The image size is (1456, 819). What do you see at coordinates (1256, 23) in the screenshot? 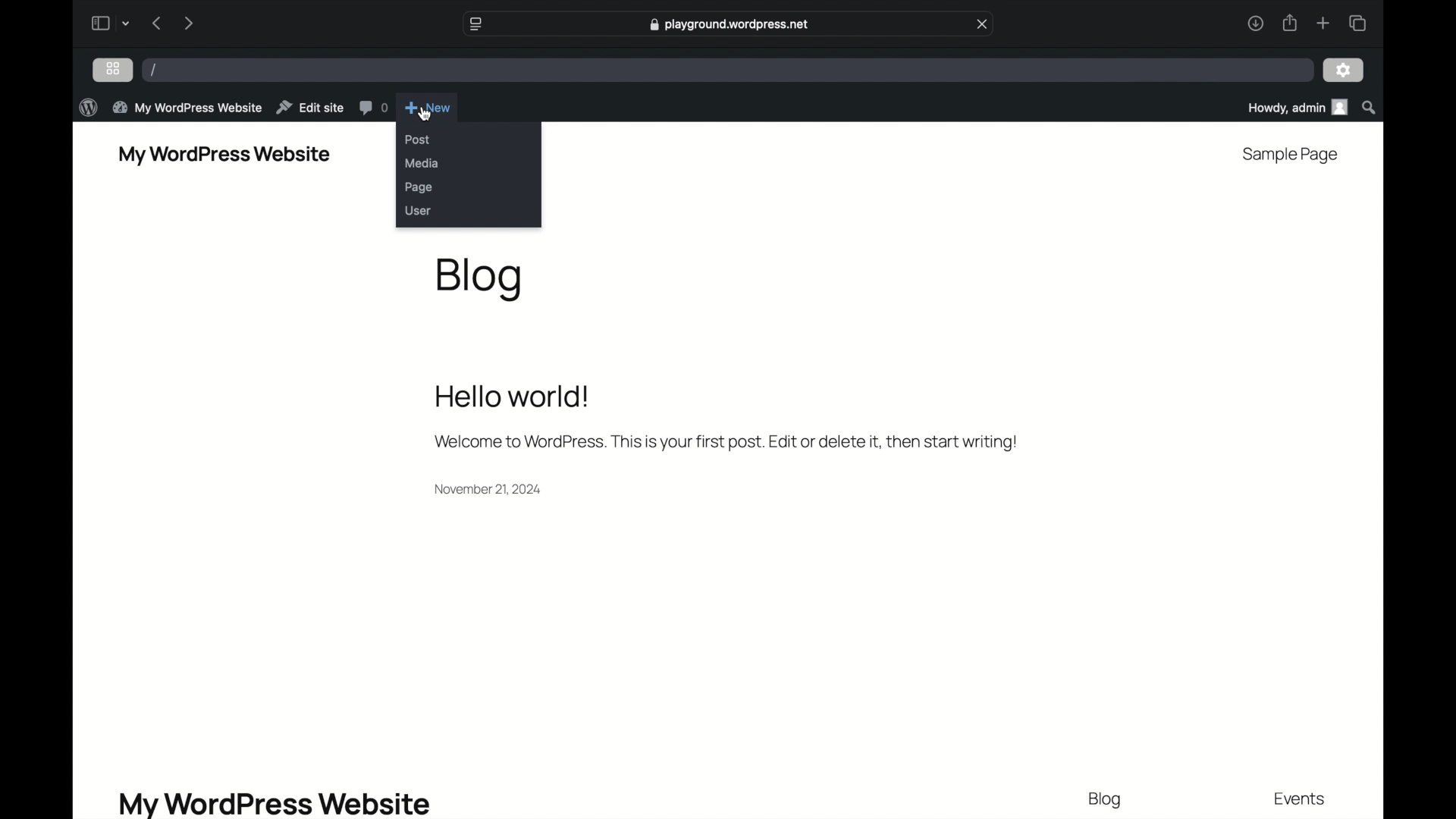
I see `downloads` at bounding box center [1256, 23].